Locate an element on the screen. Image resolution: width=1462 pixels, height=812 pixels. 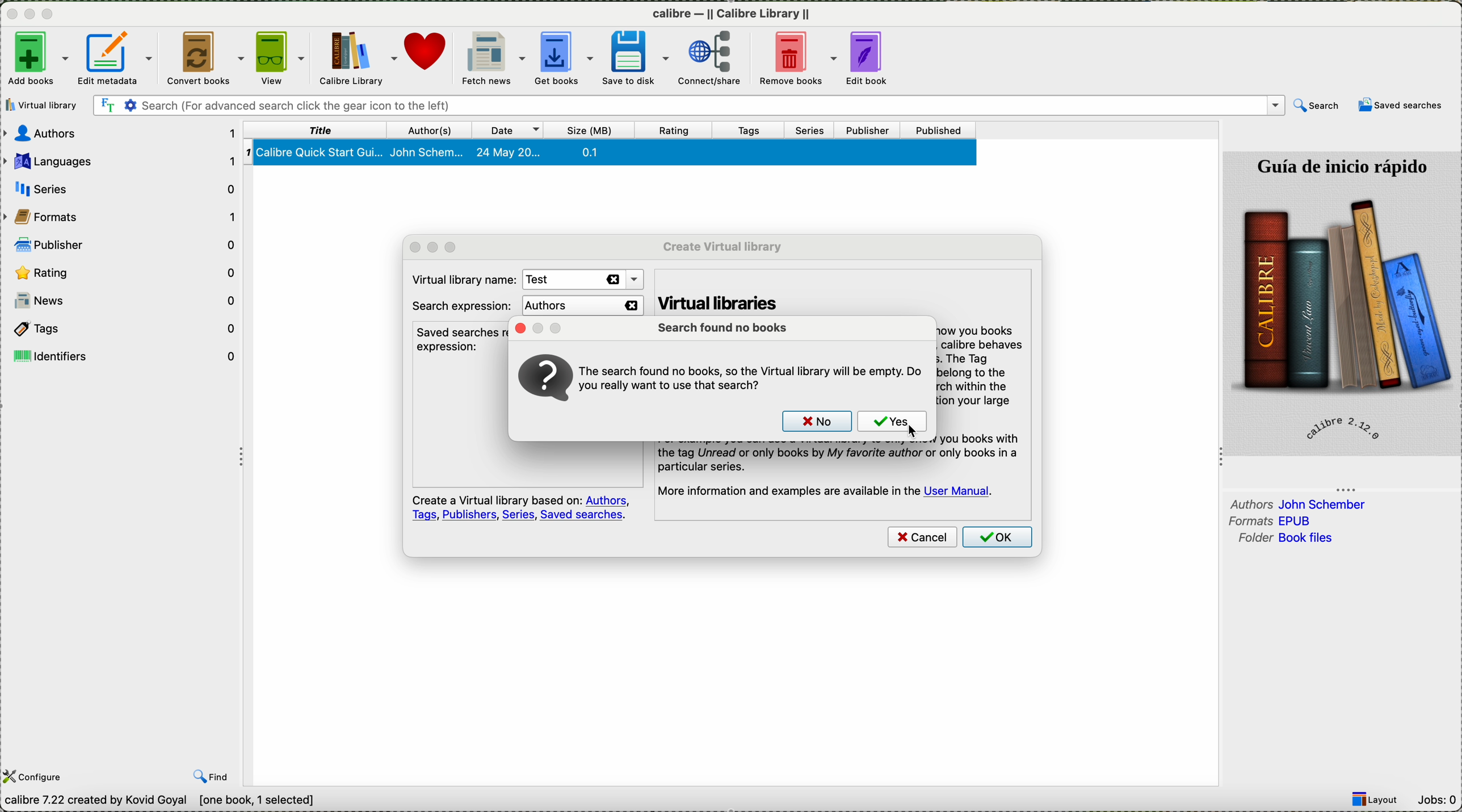
identifiers is located at coordinates (126, 355).